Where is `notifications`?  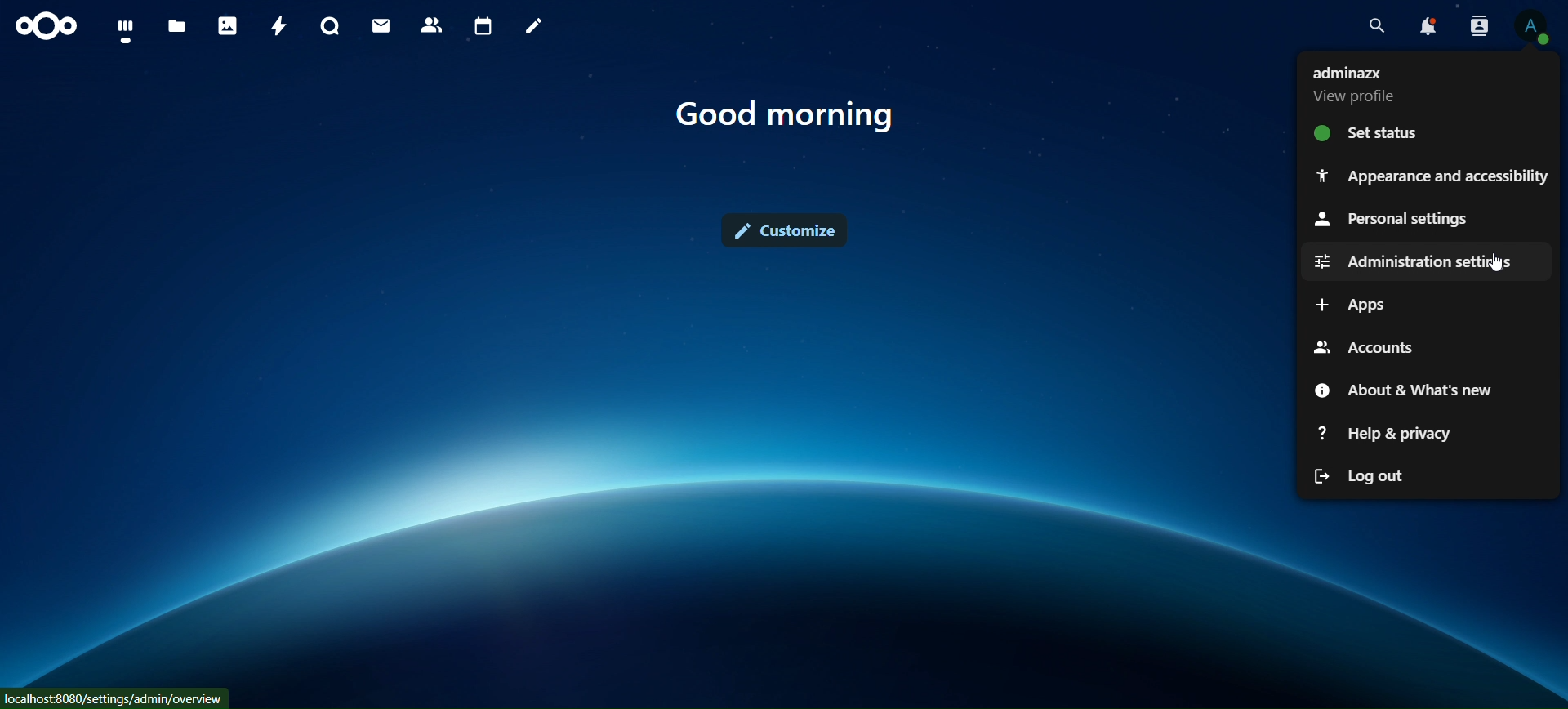 notifications is located at coordinates (1420, 25).